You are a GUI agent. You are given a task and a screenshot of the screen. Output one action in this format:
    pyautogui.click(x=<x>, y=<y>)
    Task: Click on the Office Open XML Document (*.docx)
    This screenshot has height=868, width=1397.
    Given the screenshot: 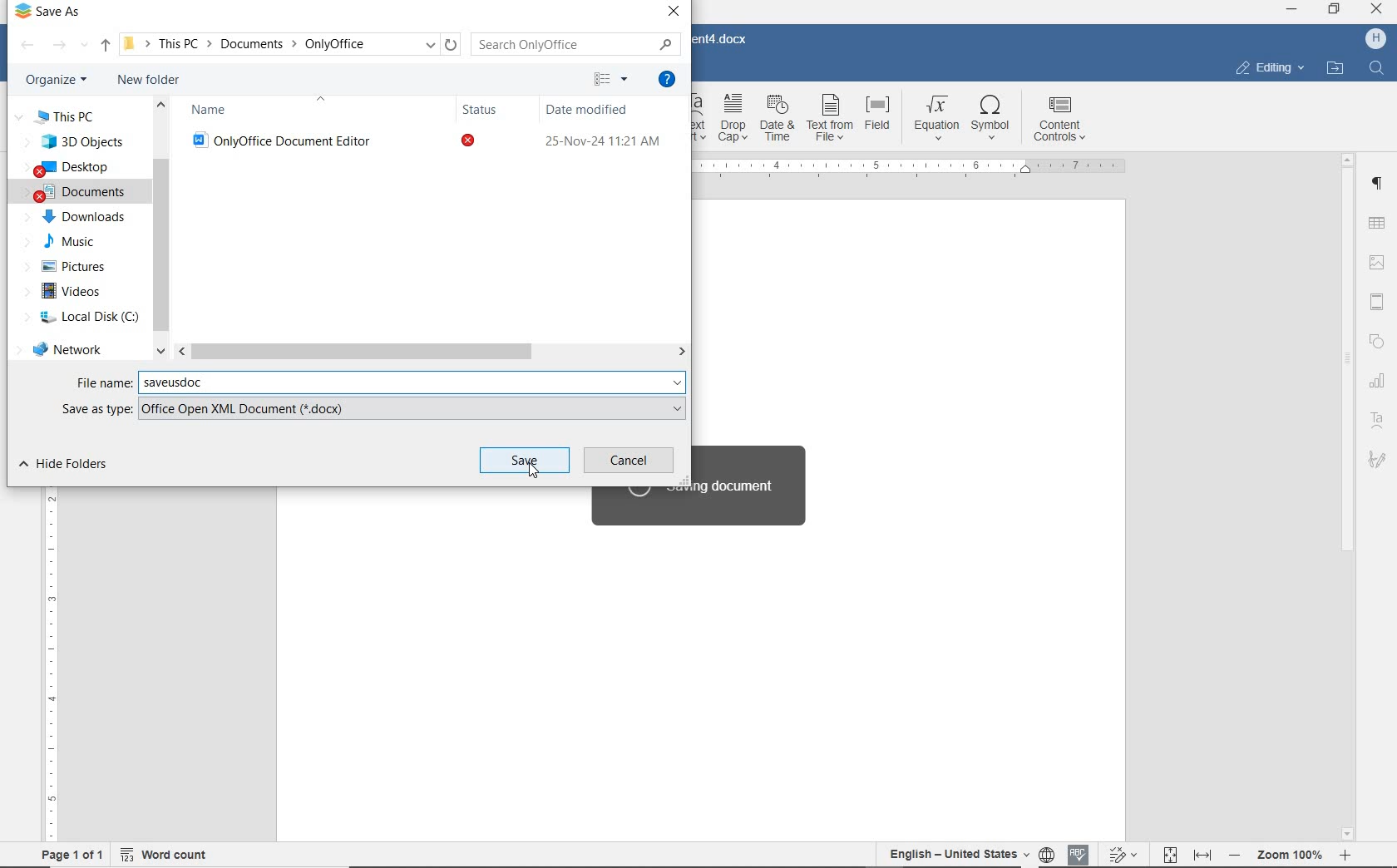 What is the action you would take?
    pyautogui.click(x=373, y=409)
    